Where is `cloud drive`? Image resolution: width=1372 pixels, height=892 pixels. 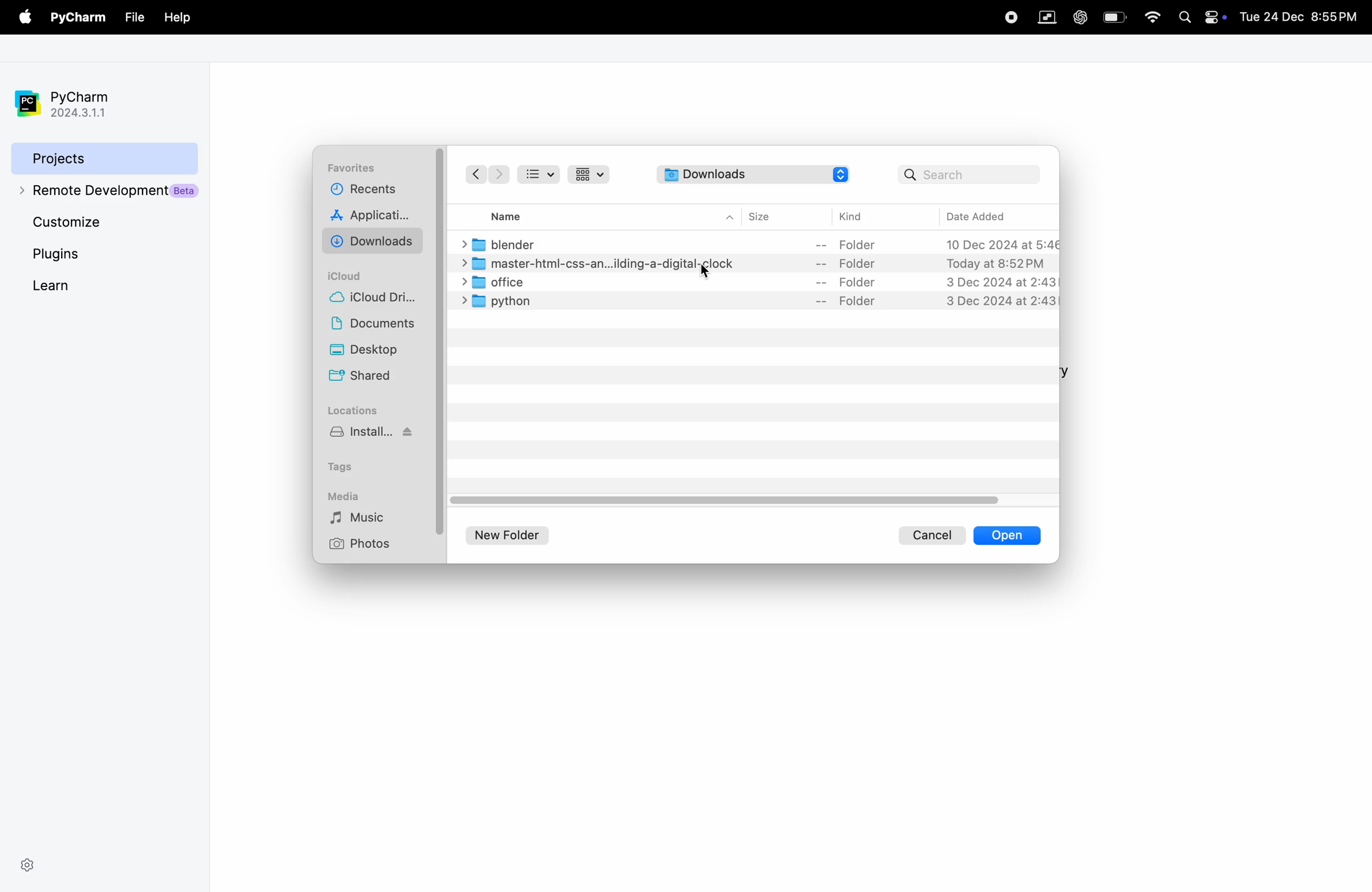 cloud drive is located at coordinates (378, 300).